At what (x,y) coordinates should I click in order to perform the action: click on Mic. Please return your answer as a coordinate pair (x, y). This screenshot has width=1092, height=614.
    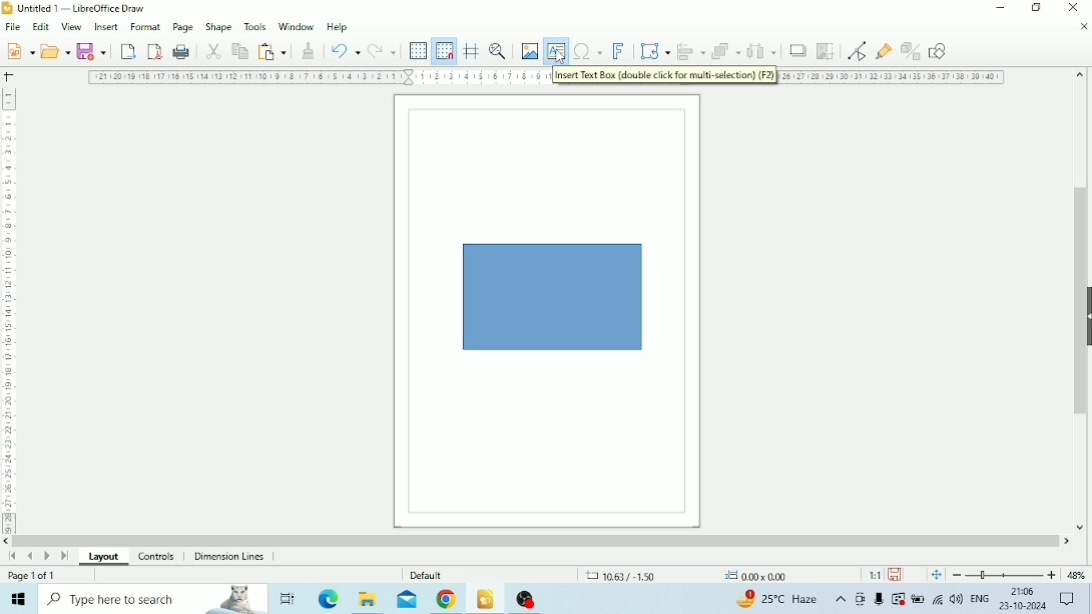
    Looking at the image, I should click on (879, 600).